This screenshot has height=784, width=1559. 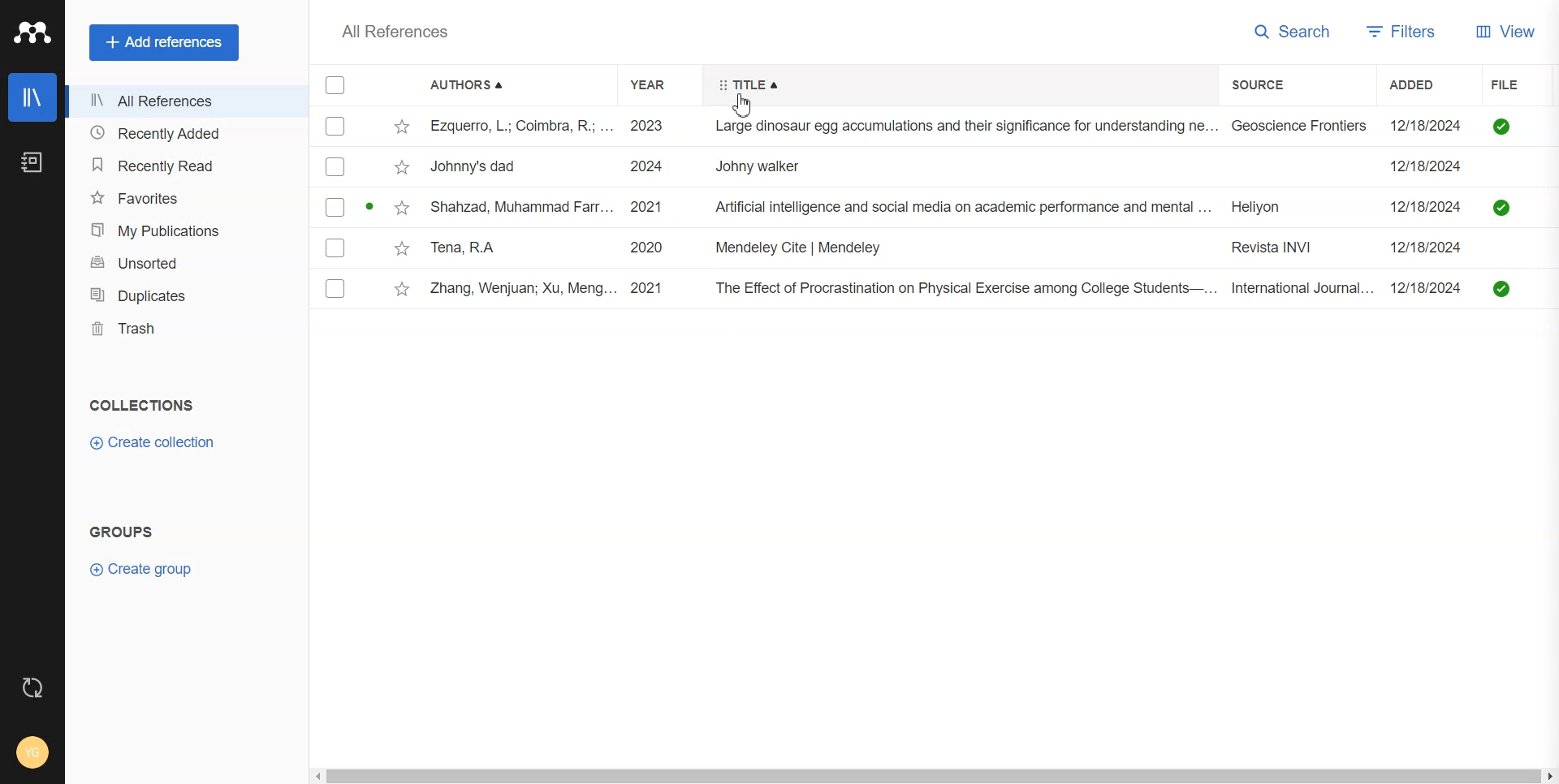 What do you see at coordinates (141, 406) in the screenshot?
I see `COLLECTIONS` at bounding box center [141, 406].